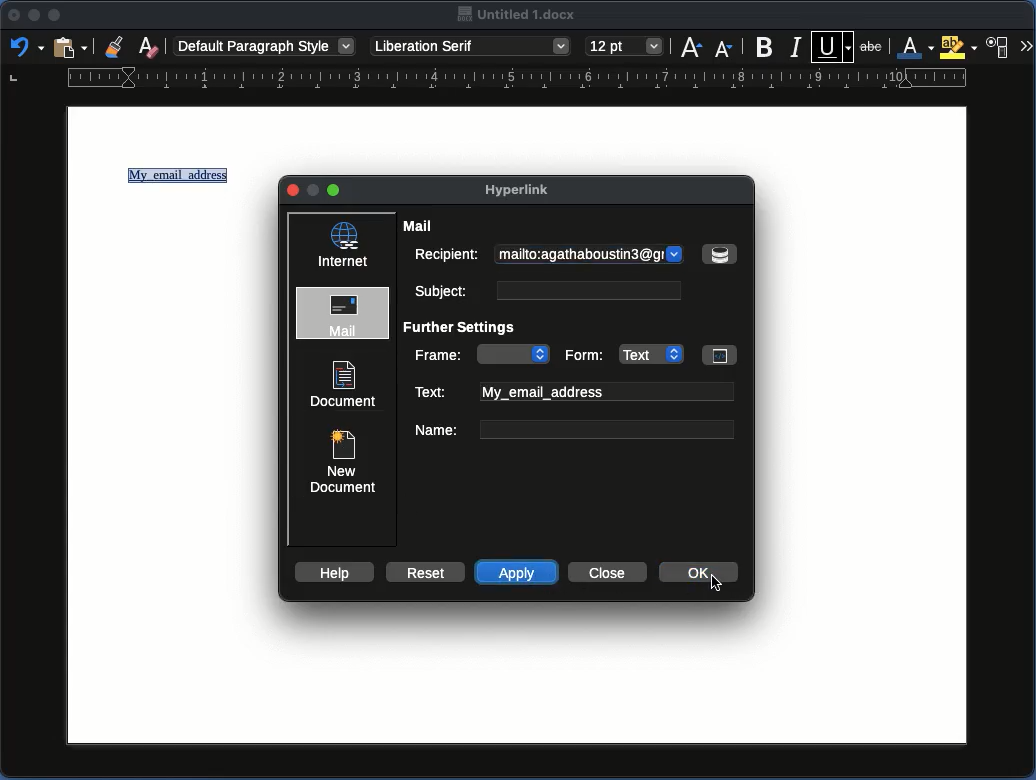  What do you see at coordinates (341, 459) in the screenshot?
I see `New document` at bounding box center [341, 459].